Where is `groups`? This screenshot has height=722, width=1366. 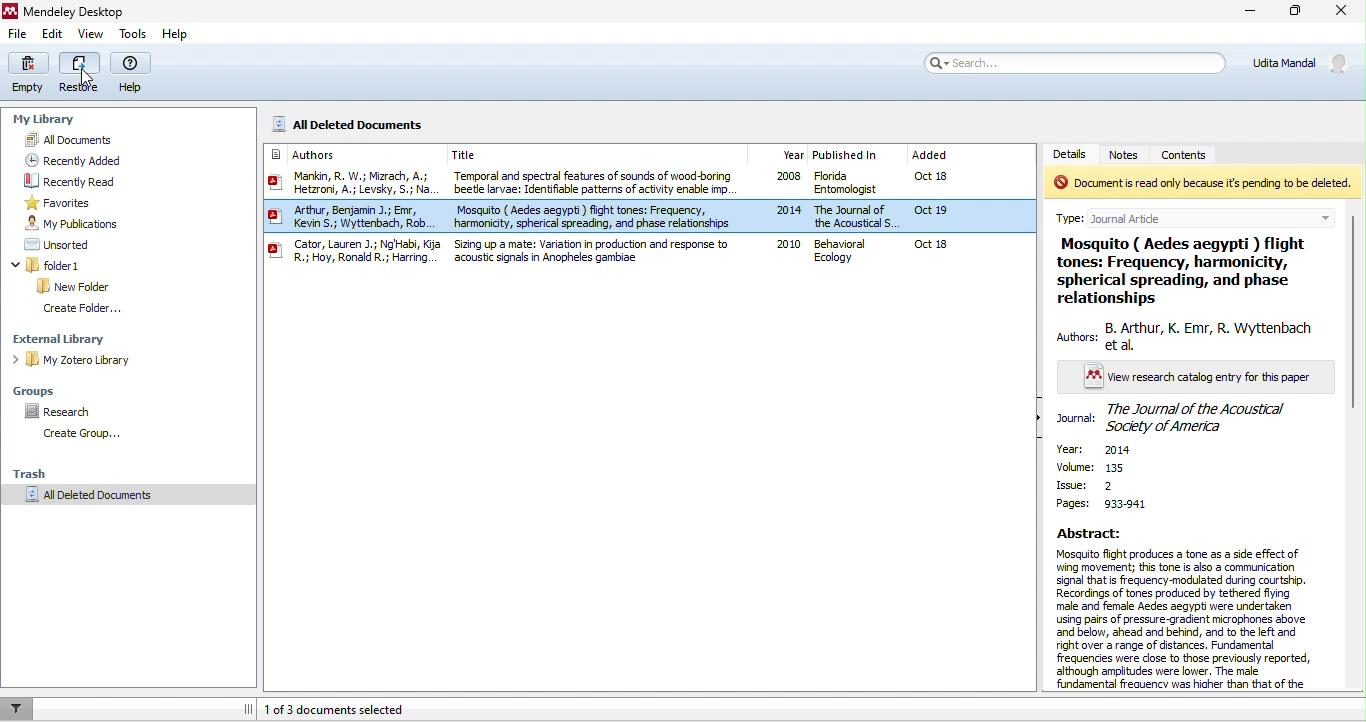
groups is located at coordinates (35, 390).